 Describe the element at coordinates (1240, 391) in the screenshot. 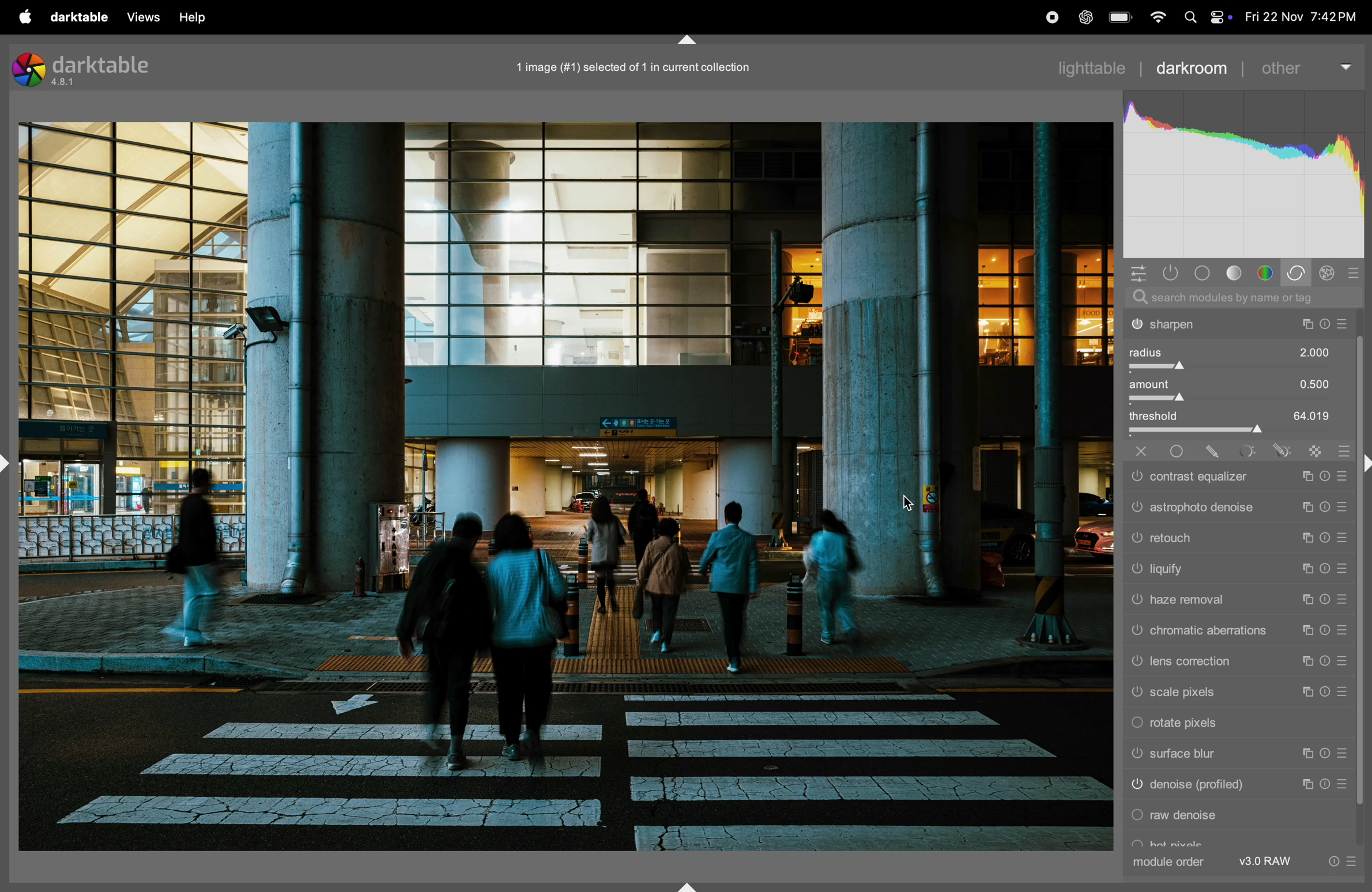

I see `` at that location.